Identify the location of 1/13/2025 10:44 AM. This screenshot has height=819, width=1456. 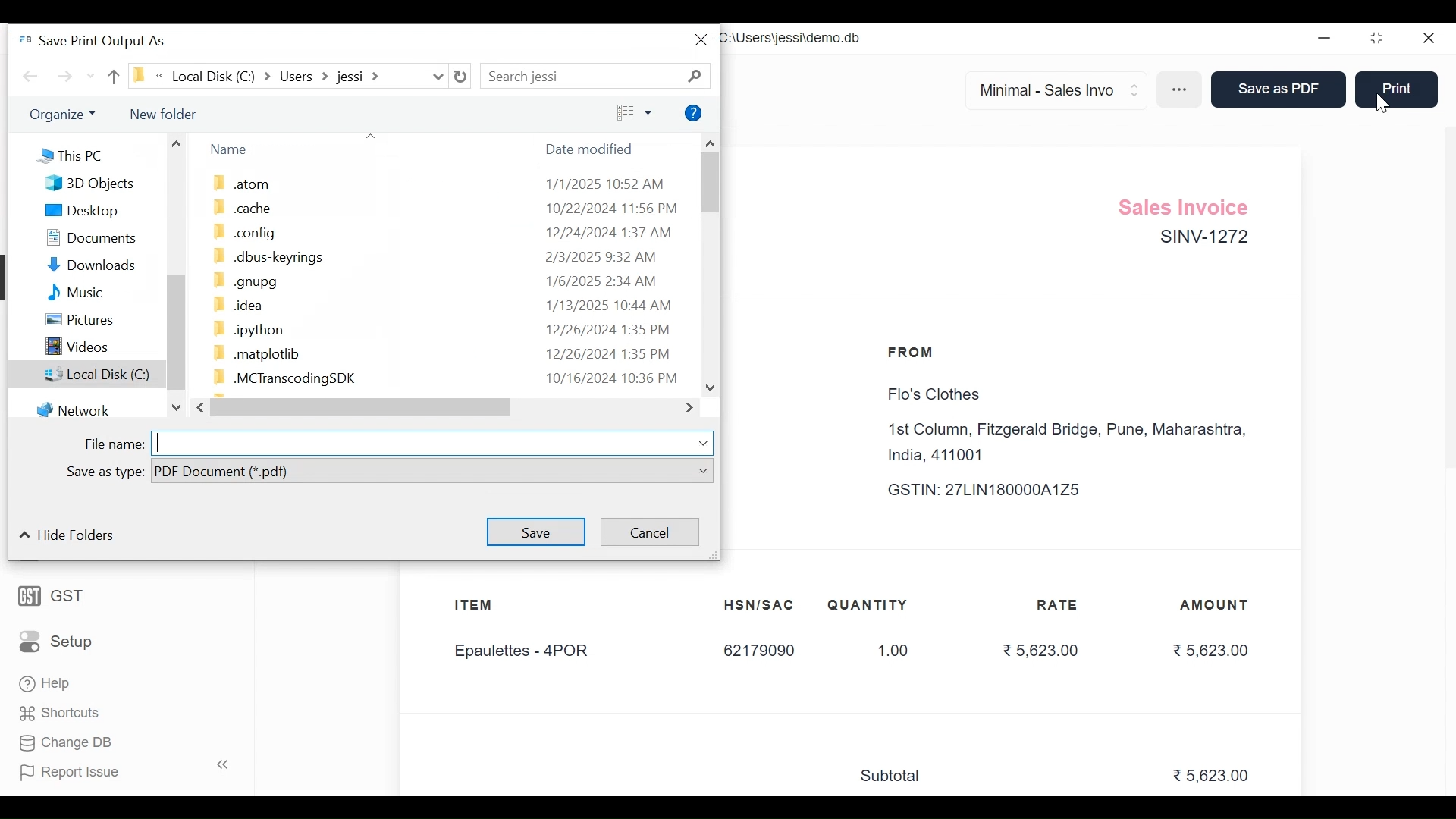
(610, 303).